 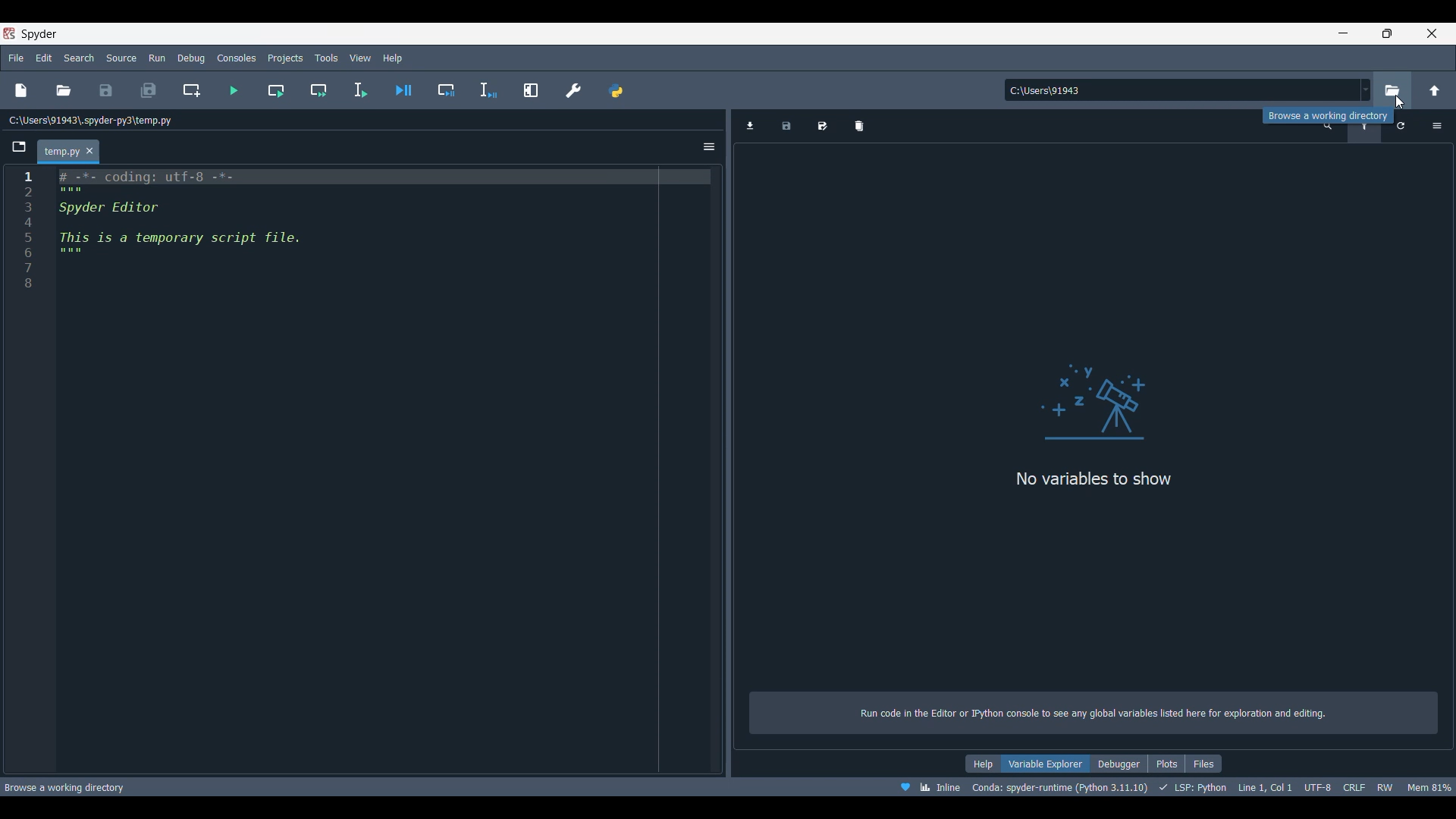 I want to click on Help menu, so click(x=392, y=58).